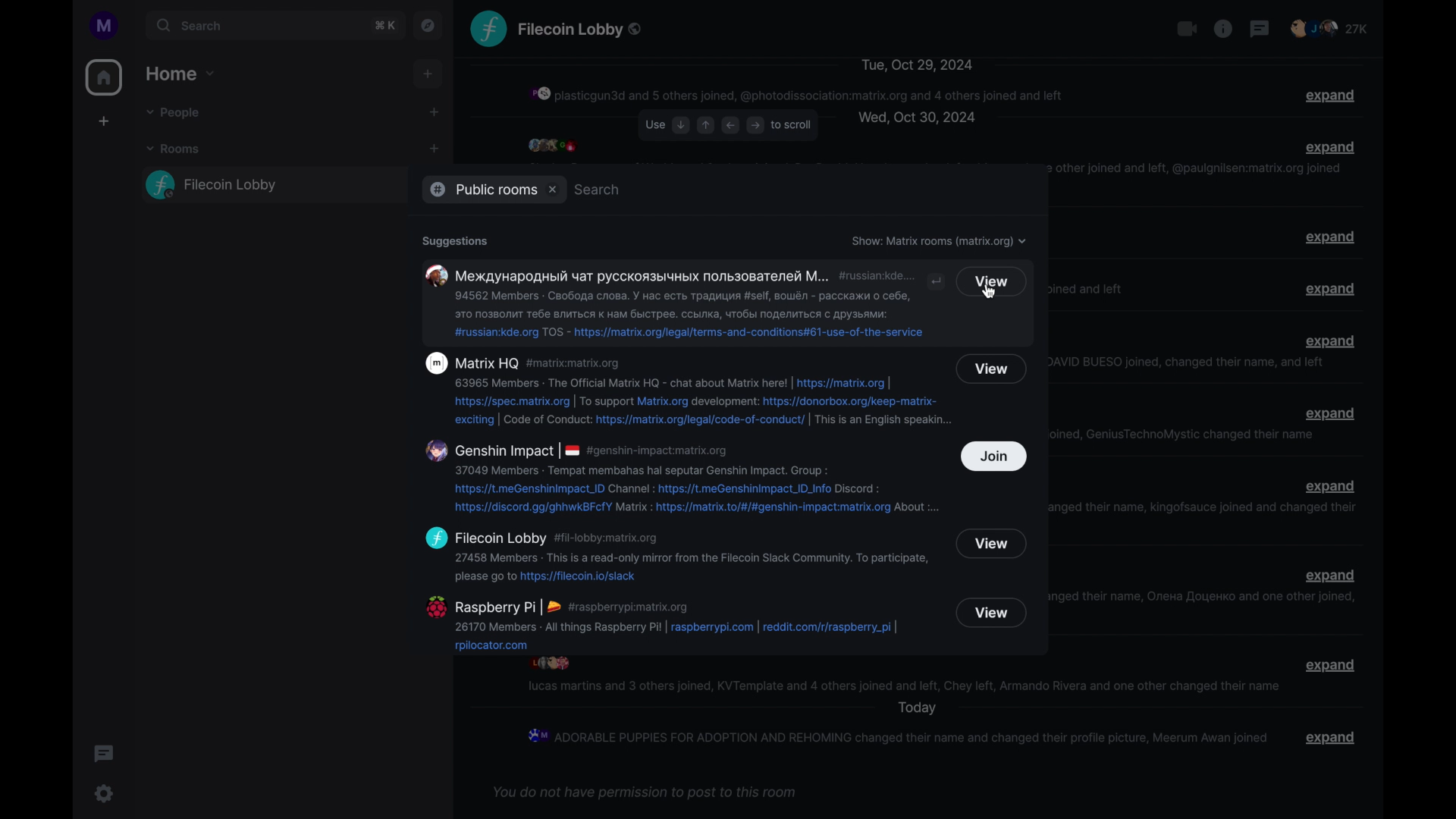 This screenshot has height=819, width=1456. I want to click on search, so click(598, 190).